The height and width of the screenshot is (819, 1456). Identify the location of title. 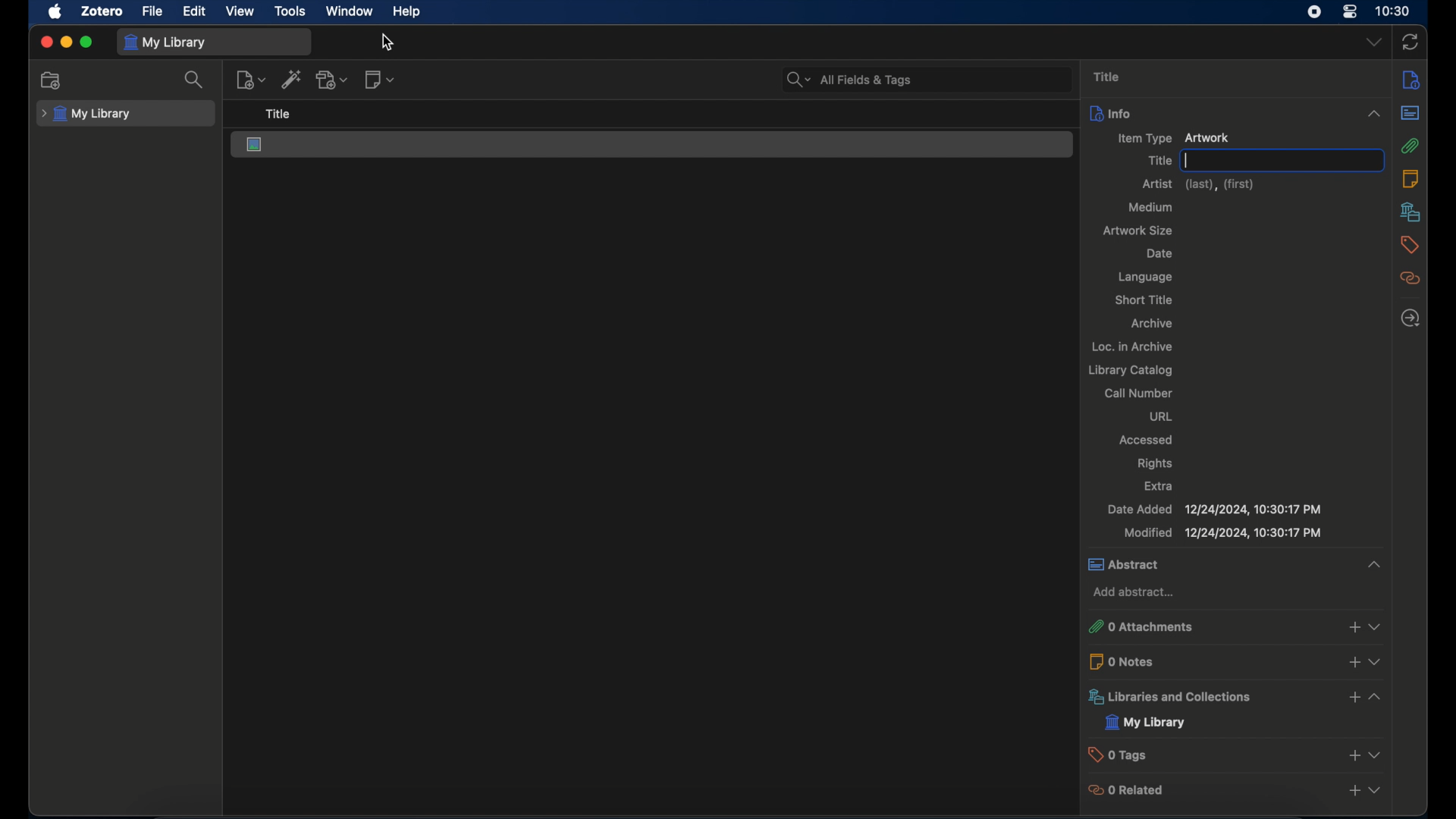
(1159, 161).